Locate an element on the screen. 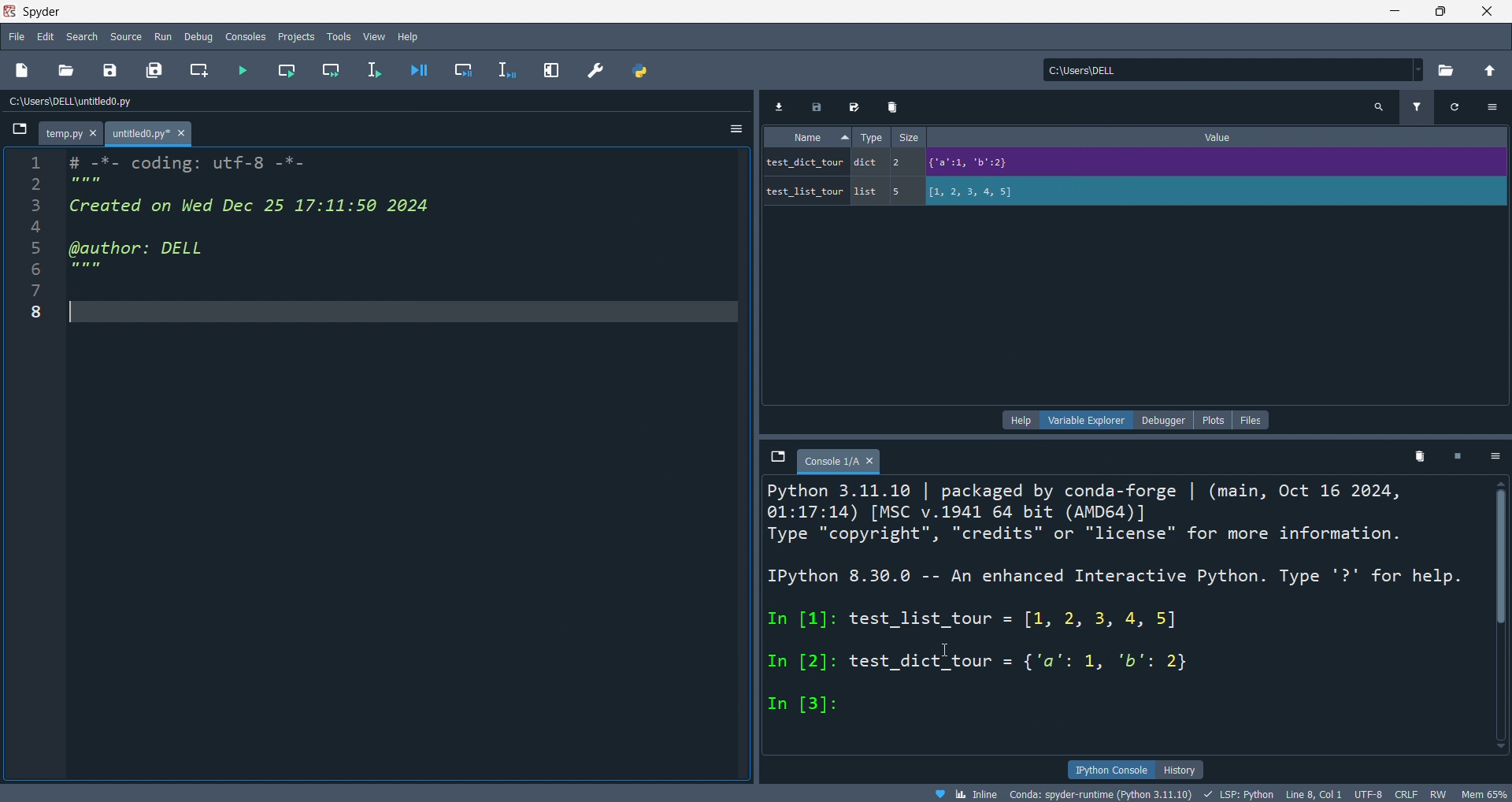  python path manager is located at coordinates (642, 72).